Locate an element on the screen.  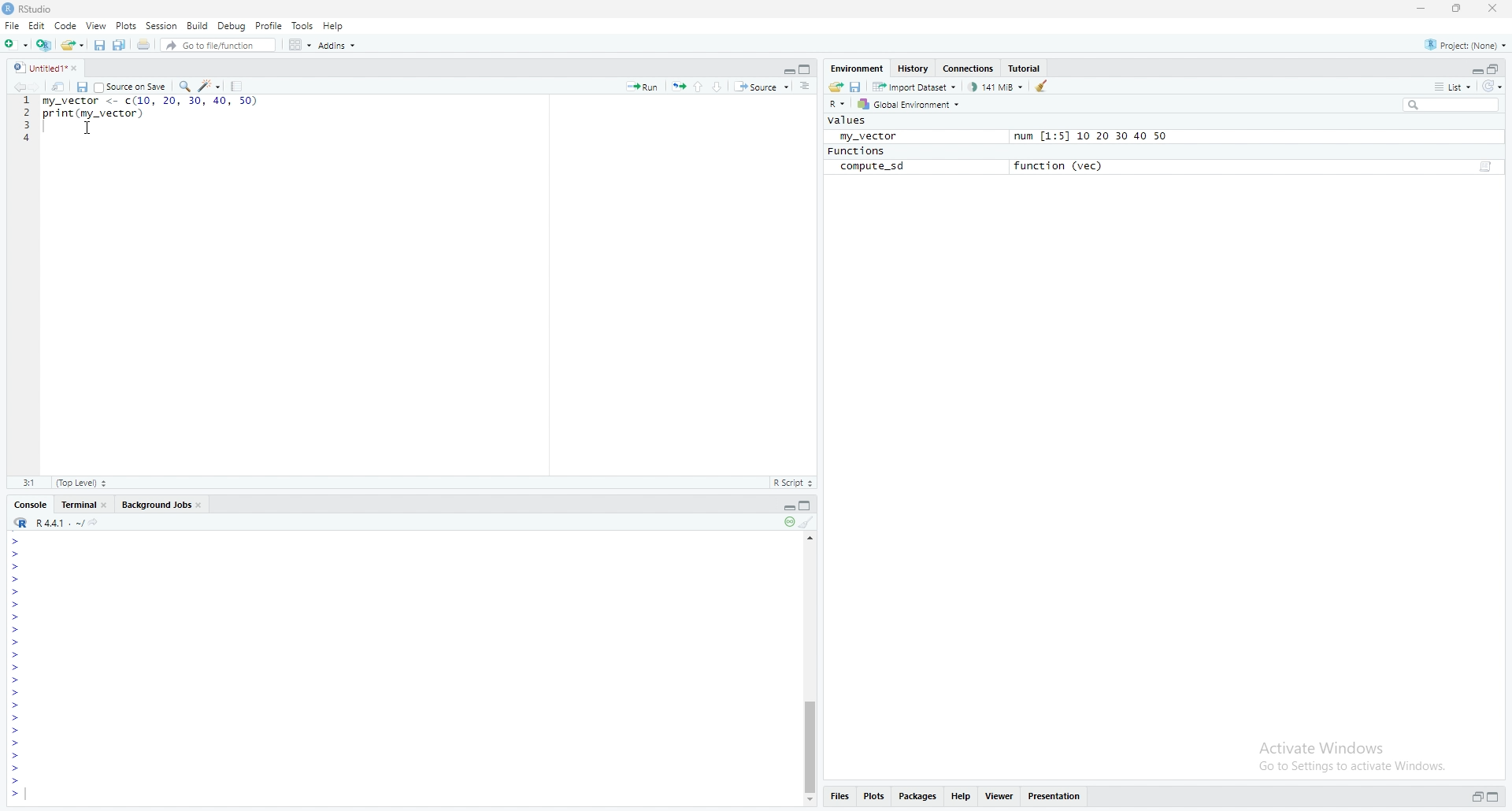
Minimize is located at coordinates (784, 69).